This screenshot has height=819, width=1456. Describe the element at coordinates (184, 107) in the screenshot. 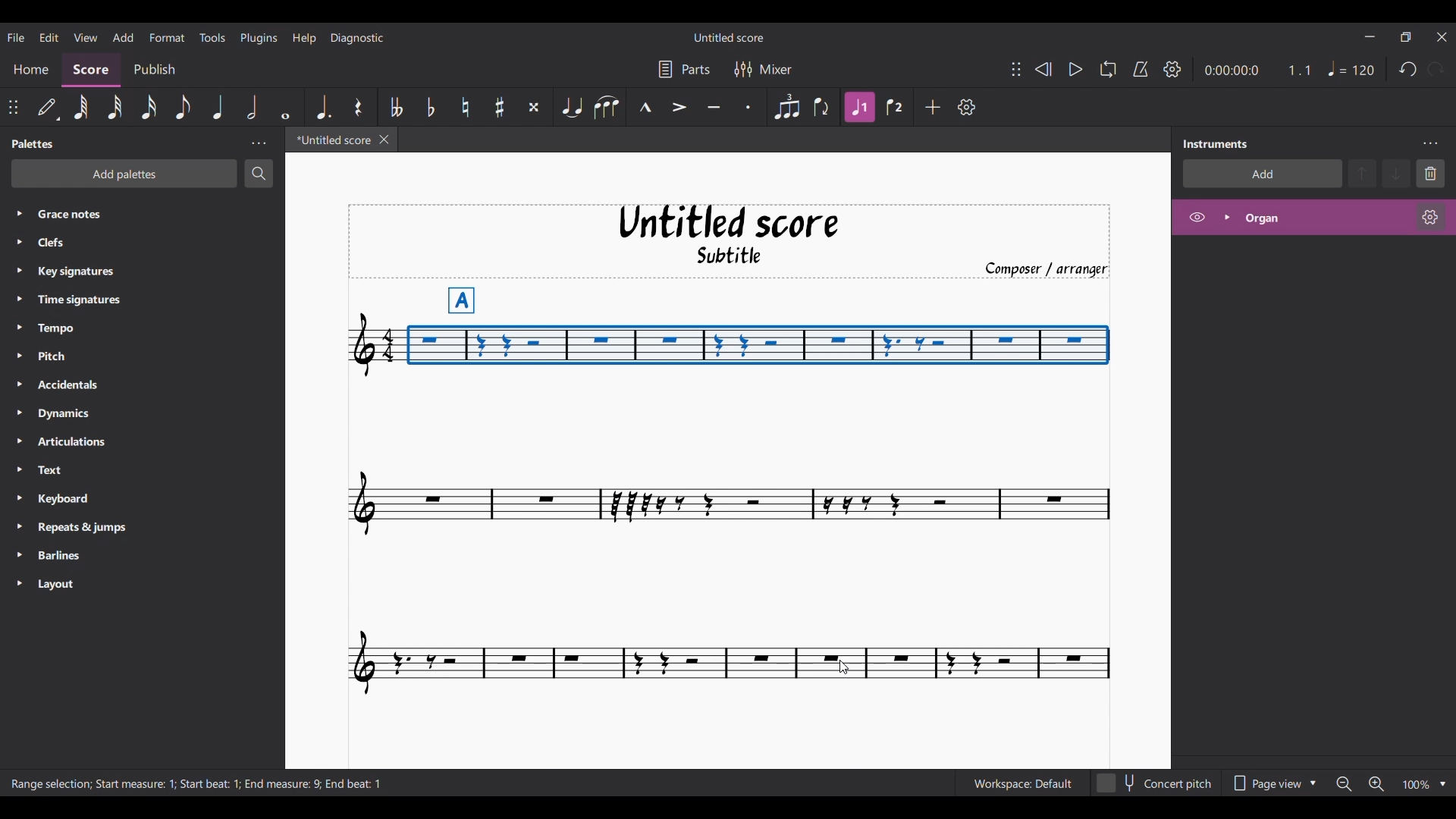

I see `8th note` at that location.